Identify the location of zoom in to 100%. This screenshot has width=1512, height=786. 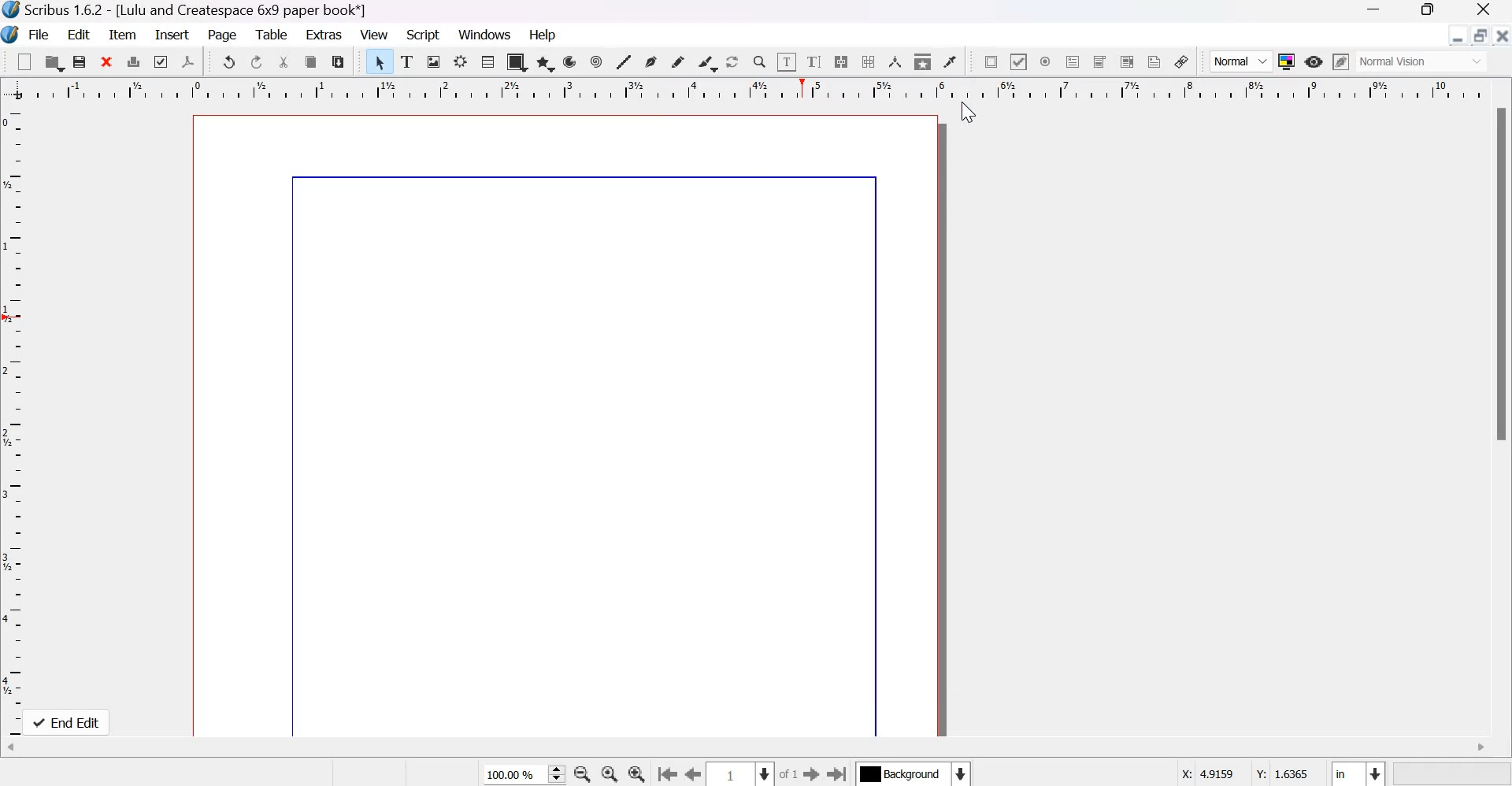
(606, 773).